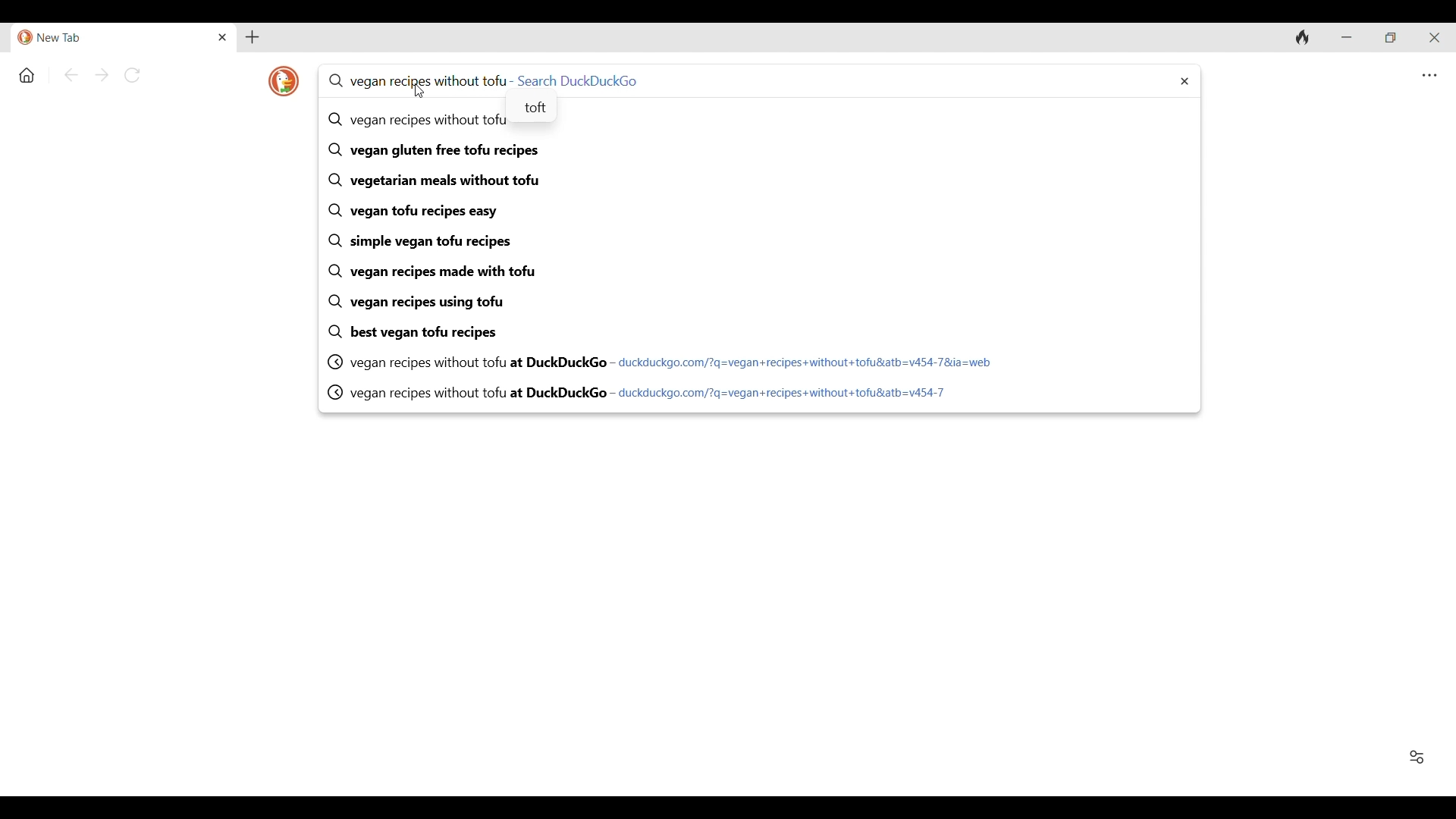 This screenshot has width=1456, height=819. What do you see at coordinates (253, 37) in the screenshot?
I see `Add new tab` at bounding box center [253, 37].